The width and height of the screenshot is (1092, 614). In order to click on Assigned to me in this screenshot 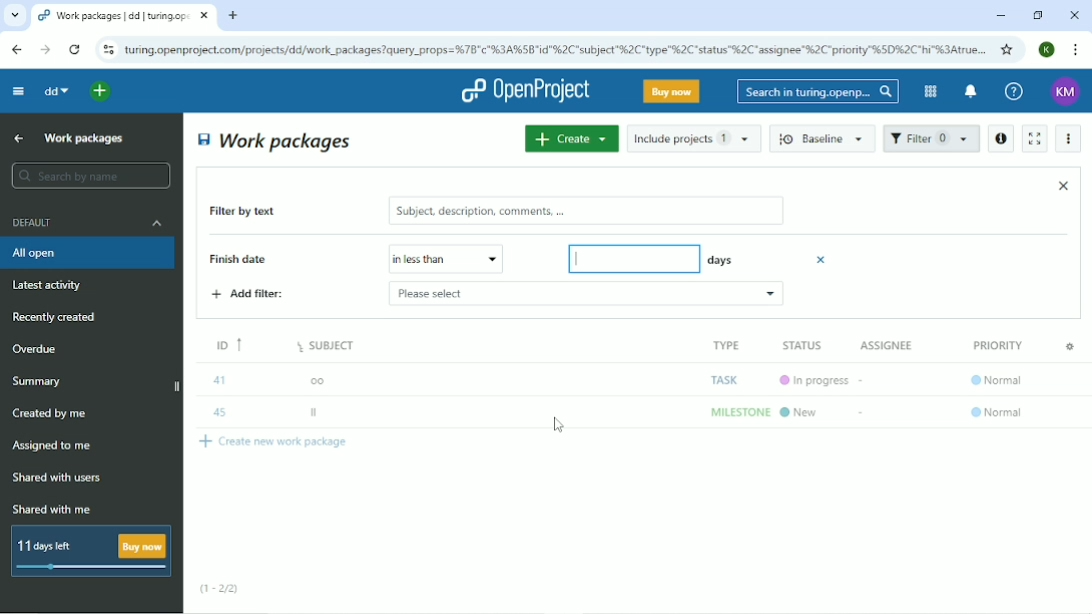, I will do `click(53, 446)`.